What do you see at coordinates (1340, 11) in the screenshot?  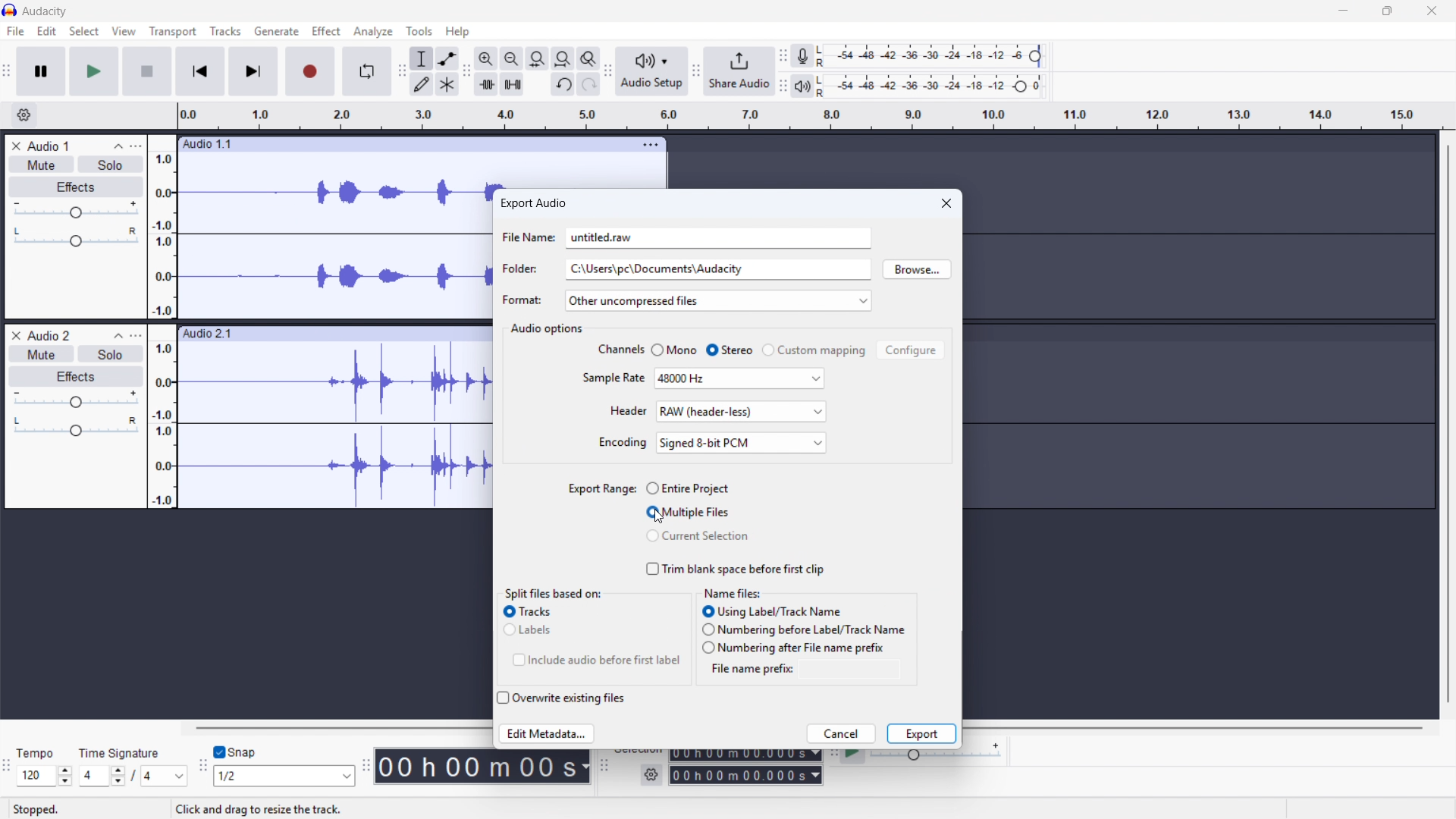 I see `minimise ` at bounding box center [1340, 11].